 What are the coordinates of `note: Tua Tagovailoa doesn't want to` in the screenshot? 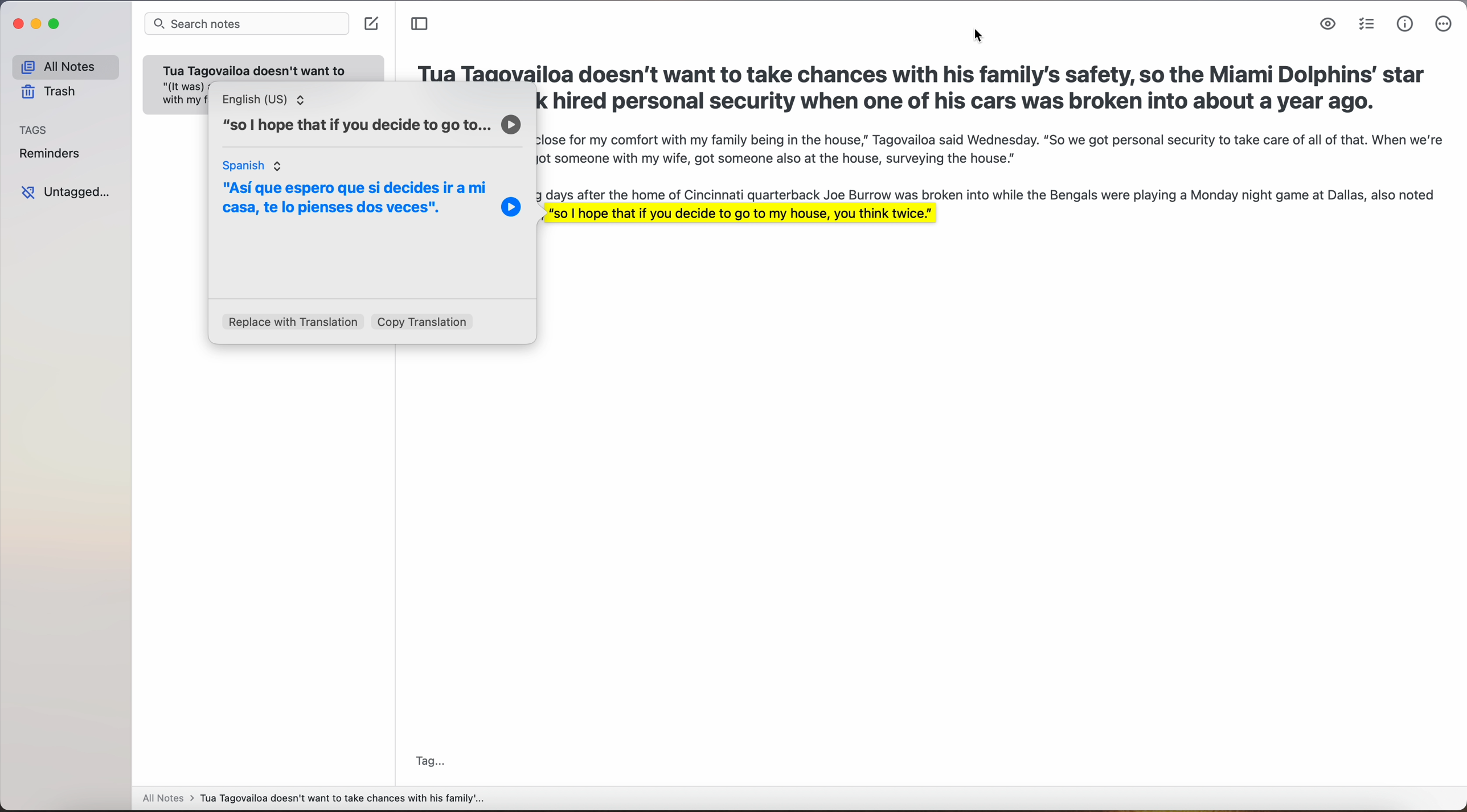 It's located at (265, 66).